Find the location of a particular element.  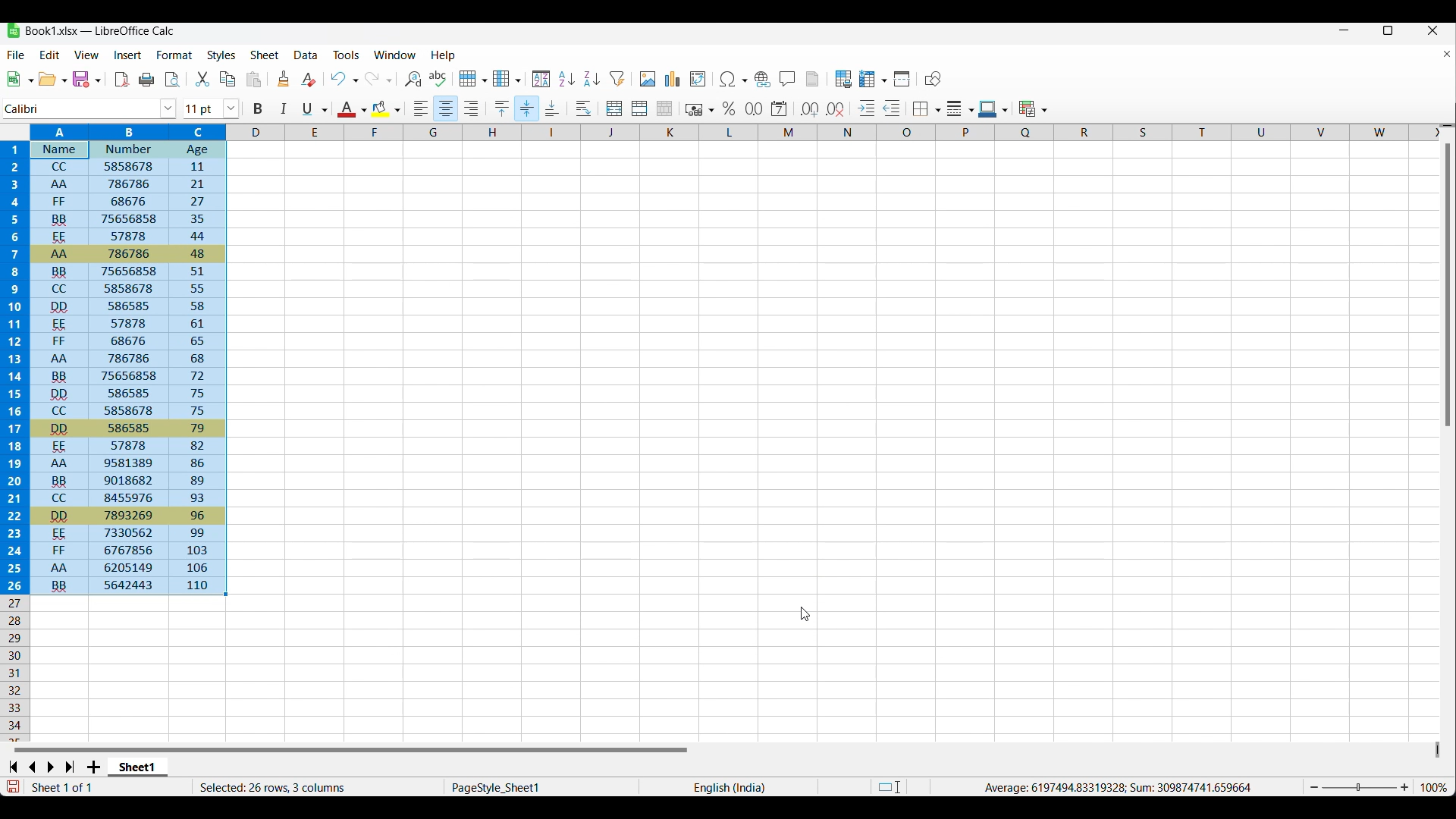

Add sheet is located at coordinates (93, 767).